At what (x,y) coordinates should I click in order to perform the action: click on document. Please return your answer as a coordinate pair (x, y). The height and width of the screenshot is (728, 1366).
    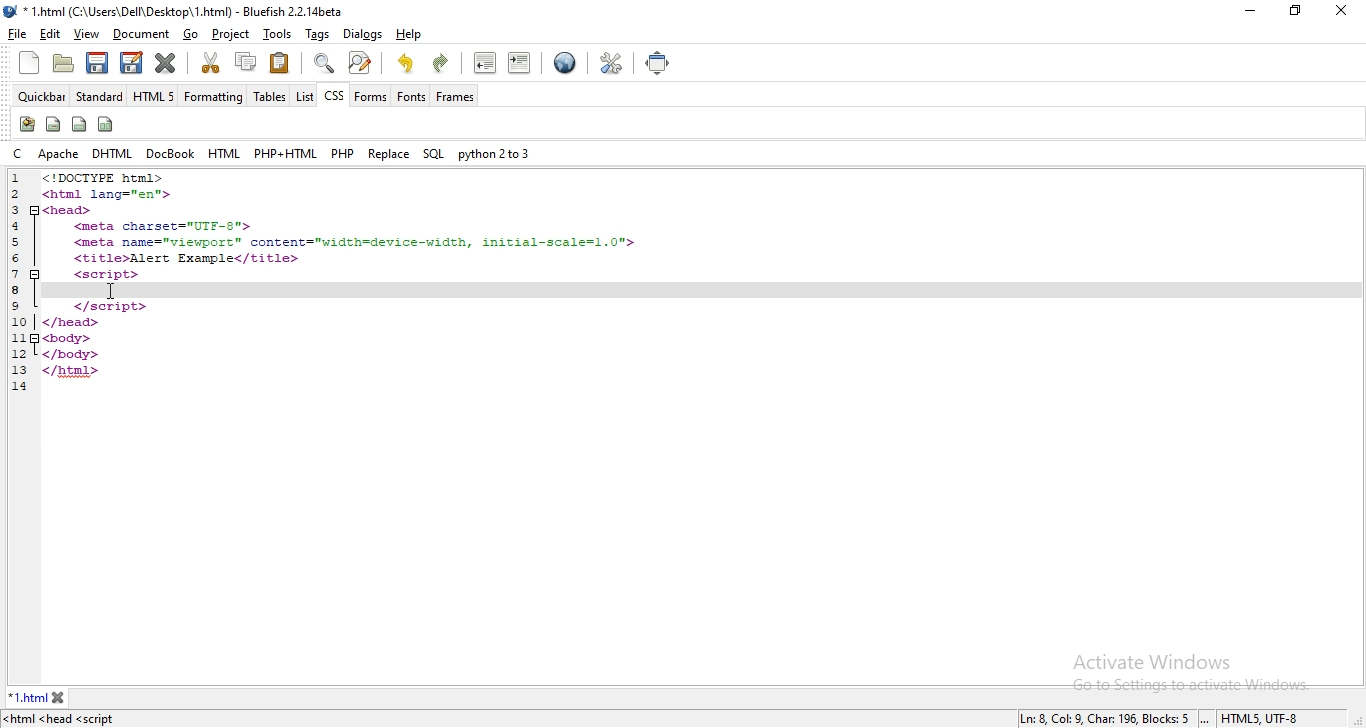
    Looking at the image, I should click on (140, 33).